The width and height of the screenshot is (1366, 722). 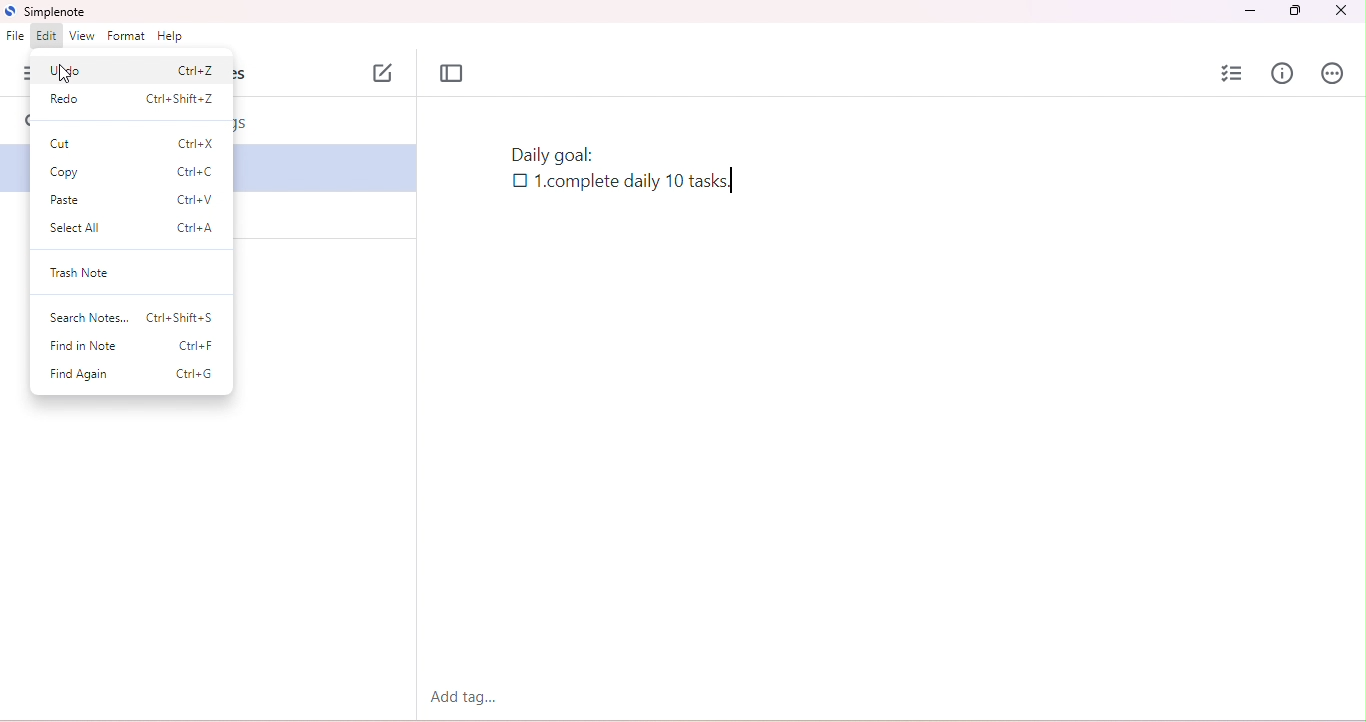 What do you see at coordinates (127, 36) in the screenshot?
I see `format` at bounding box center [127, 36].